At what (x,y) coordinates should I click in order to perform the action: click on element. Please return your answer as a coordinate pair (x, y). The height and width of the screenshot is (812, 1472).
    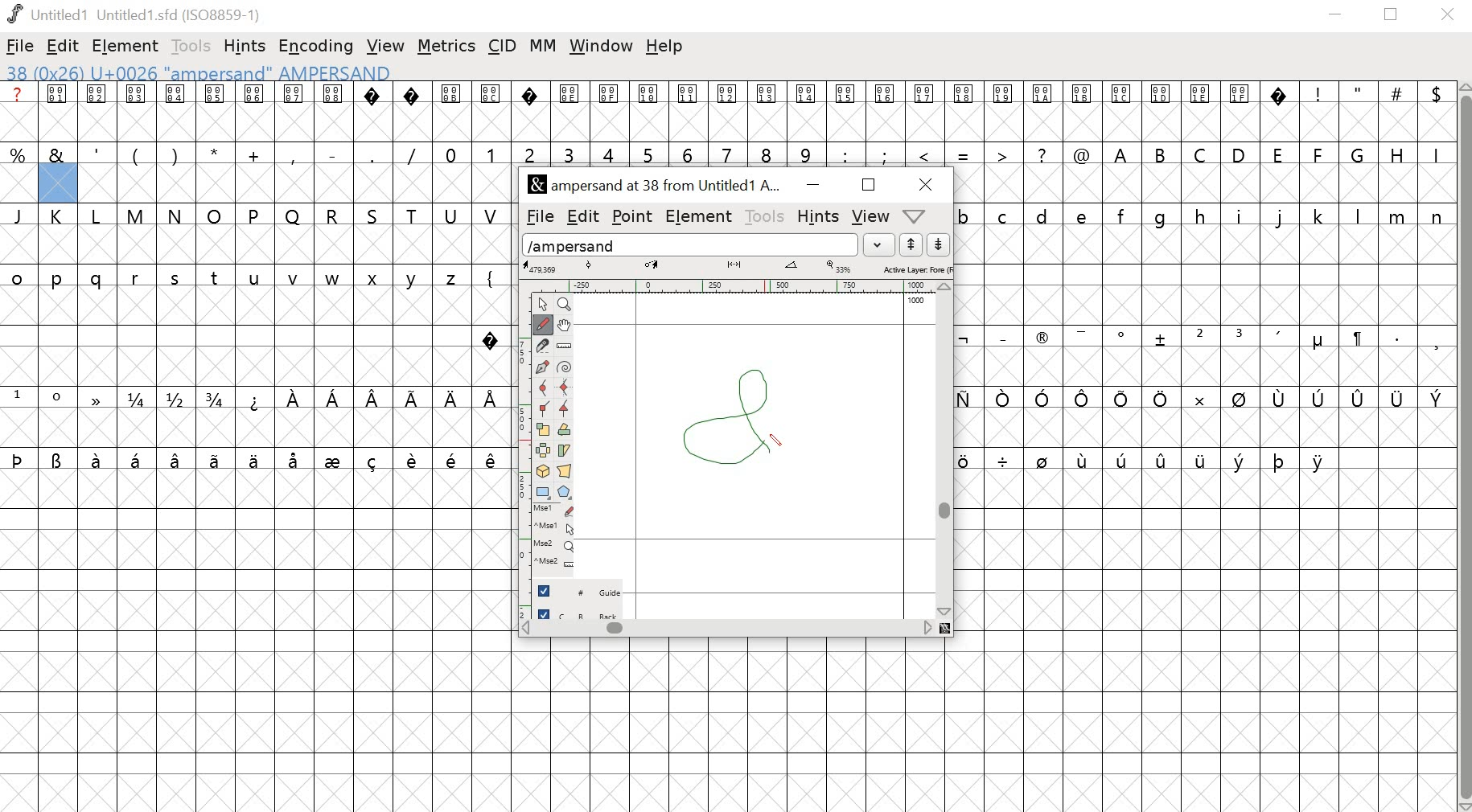
    Looking at the image, I should click on (700, 217).